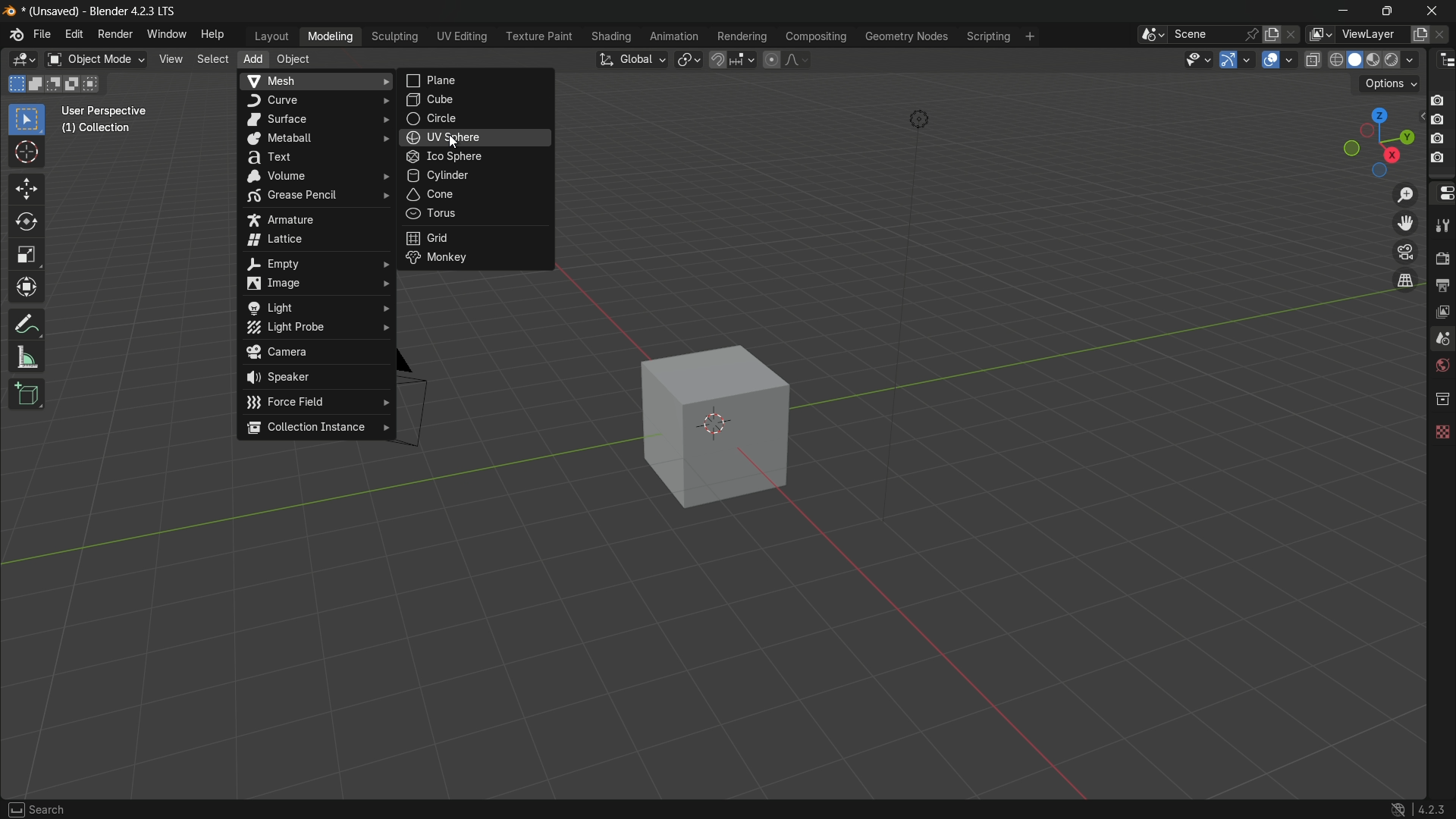  What do you see at coordinates (318, 240) in the screenshot?
I see `lattice` at bounding box center [318, 240].